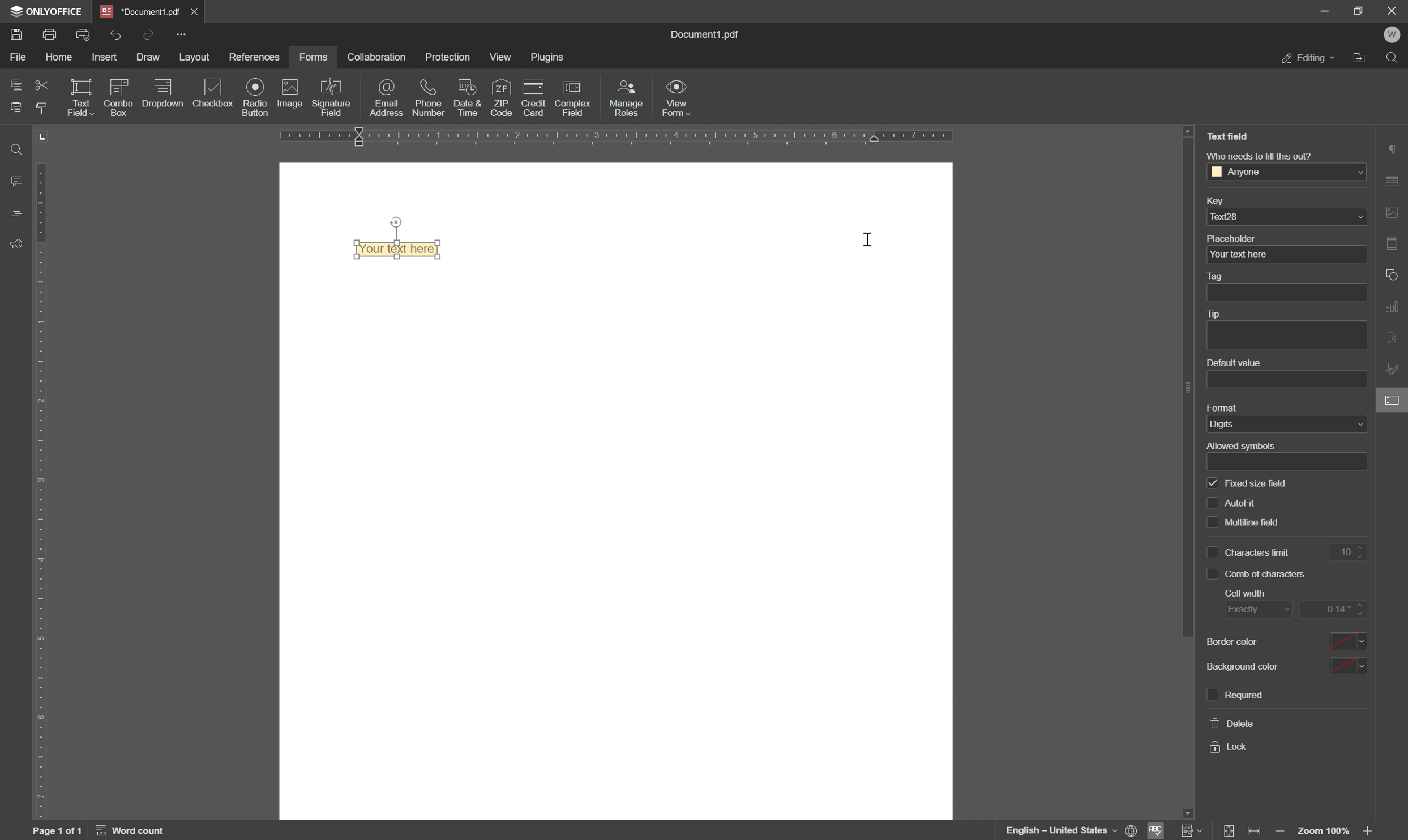 The width and height of the screenshot is (1408, 840). I want to click on customize quick access toolbar, so click(181, 35).